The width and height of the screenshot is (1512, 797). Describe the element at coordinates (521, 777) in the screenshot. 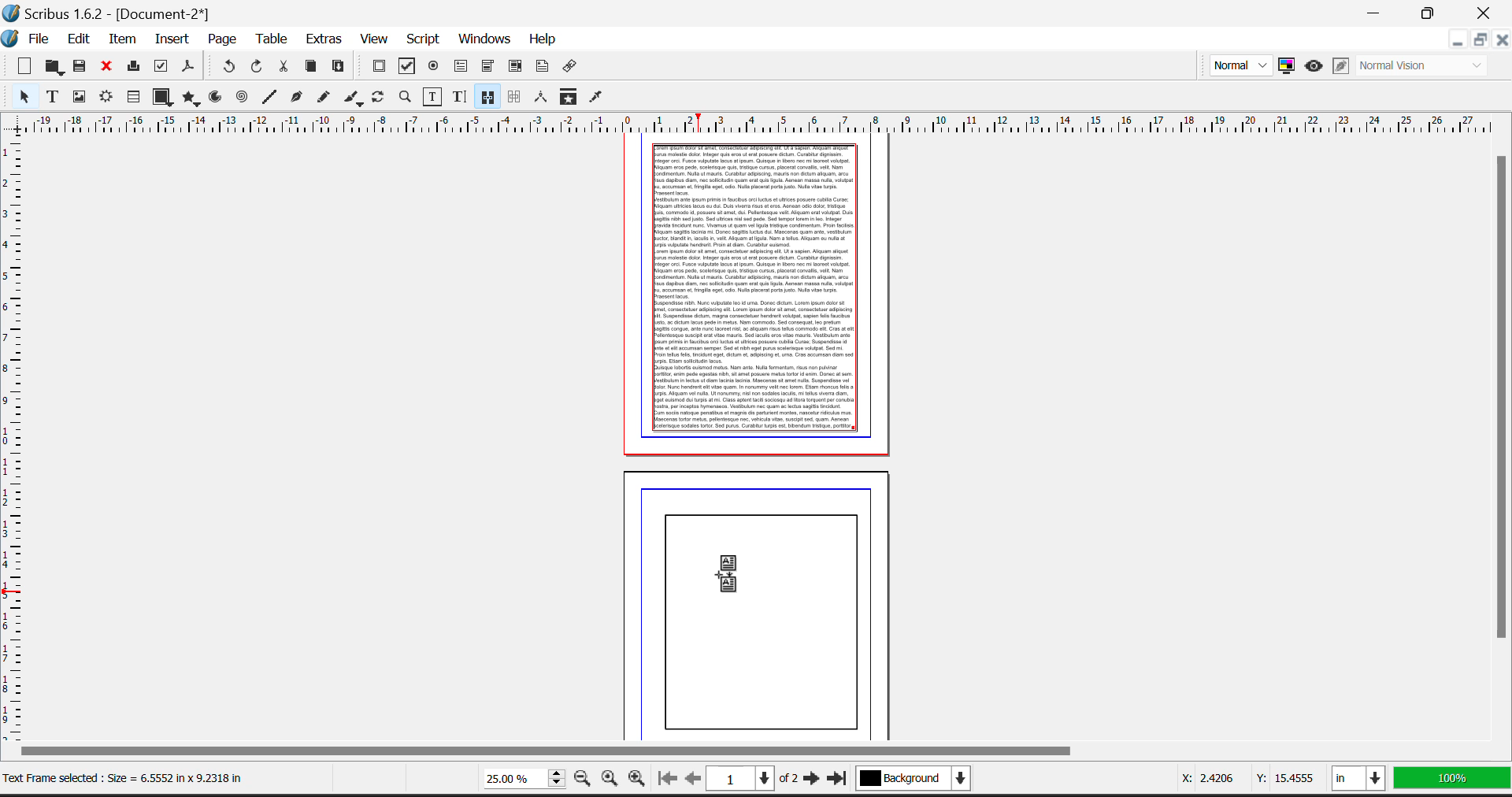

I see `25.00%` at that location.